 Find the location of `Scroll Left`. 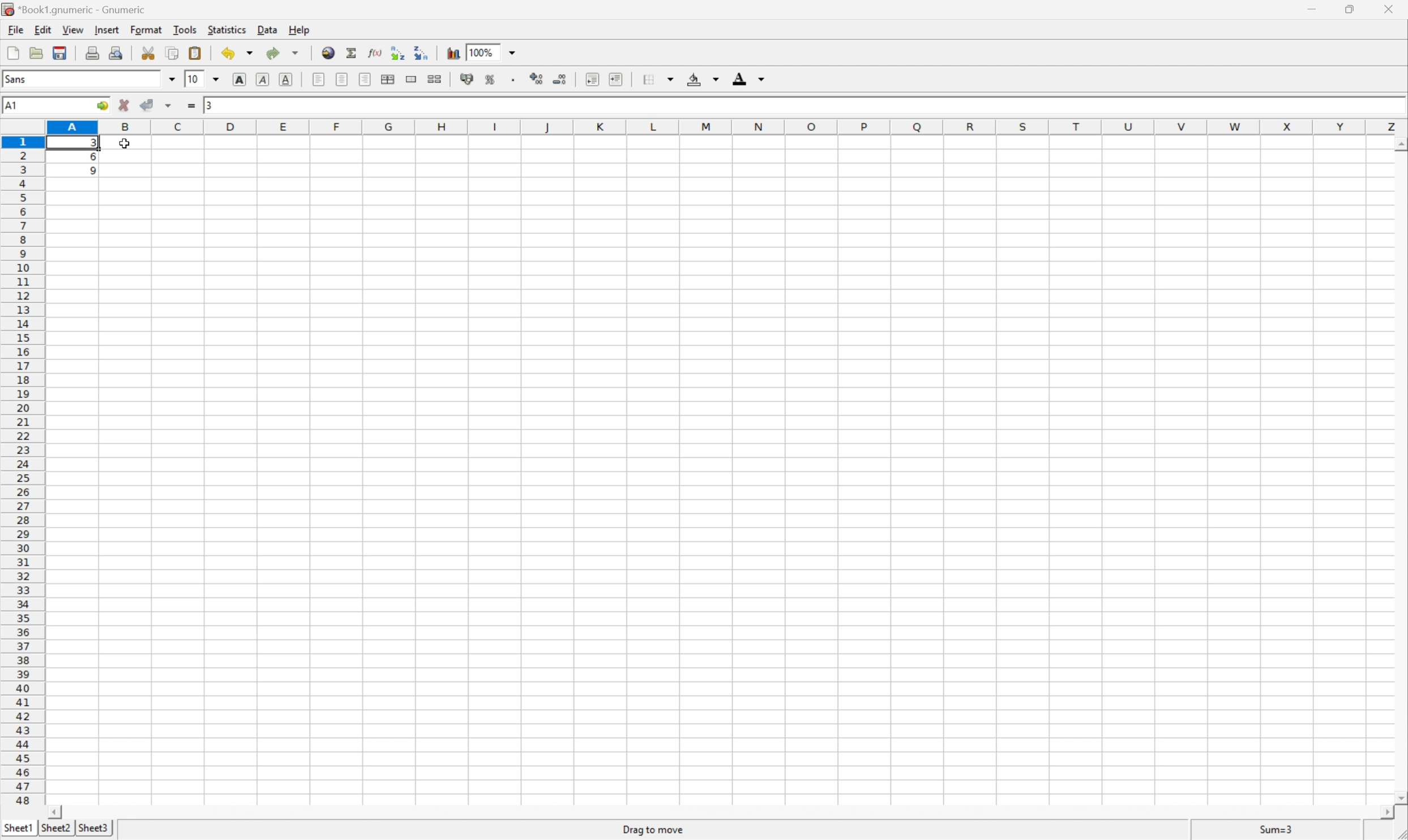

Scroll Left is located at coordinates (55, 811).